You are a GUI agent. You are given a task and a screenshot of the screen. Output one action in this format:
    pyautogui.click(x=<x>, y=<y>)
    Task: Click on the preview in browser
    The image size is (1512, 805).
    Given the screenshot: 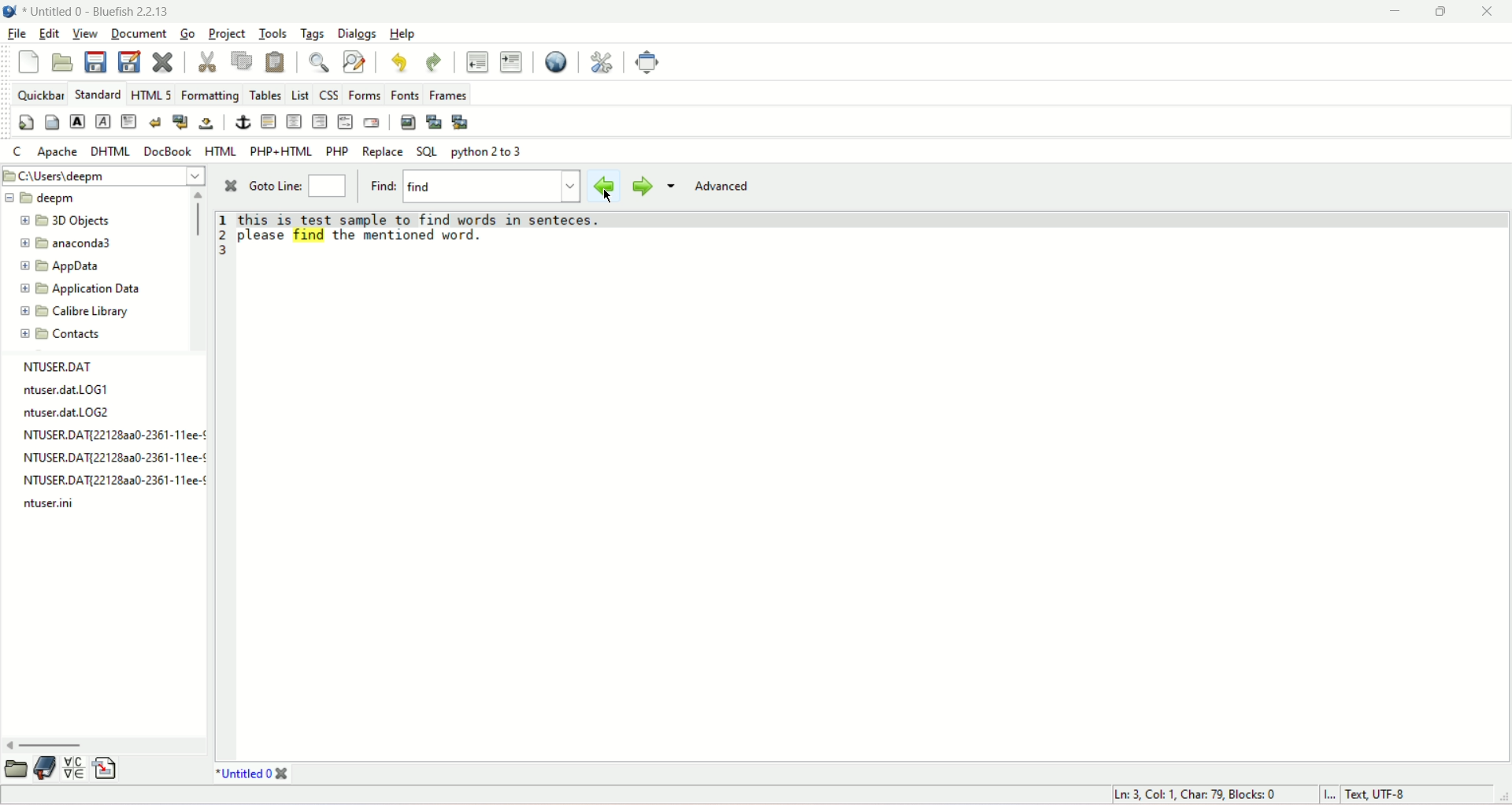 What is the action you would take?
    pyautogui.click(x=557, y=61)
    